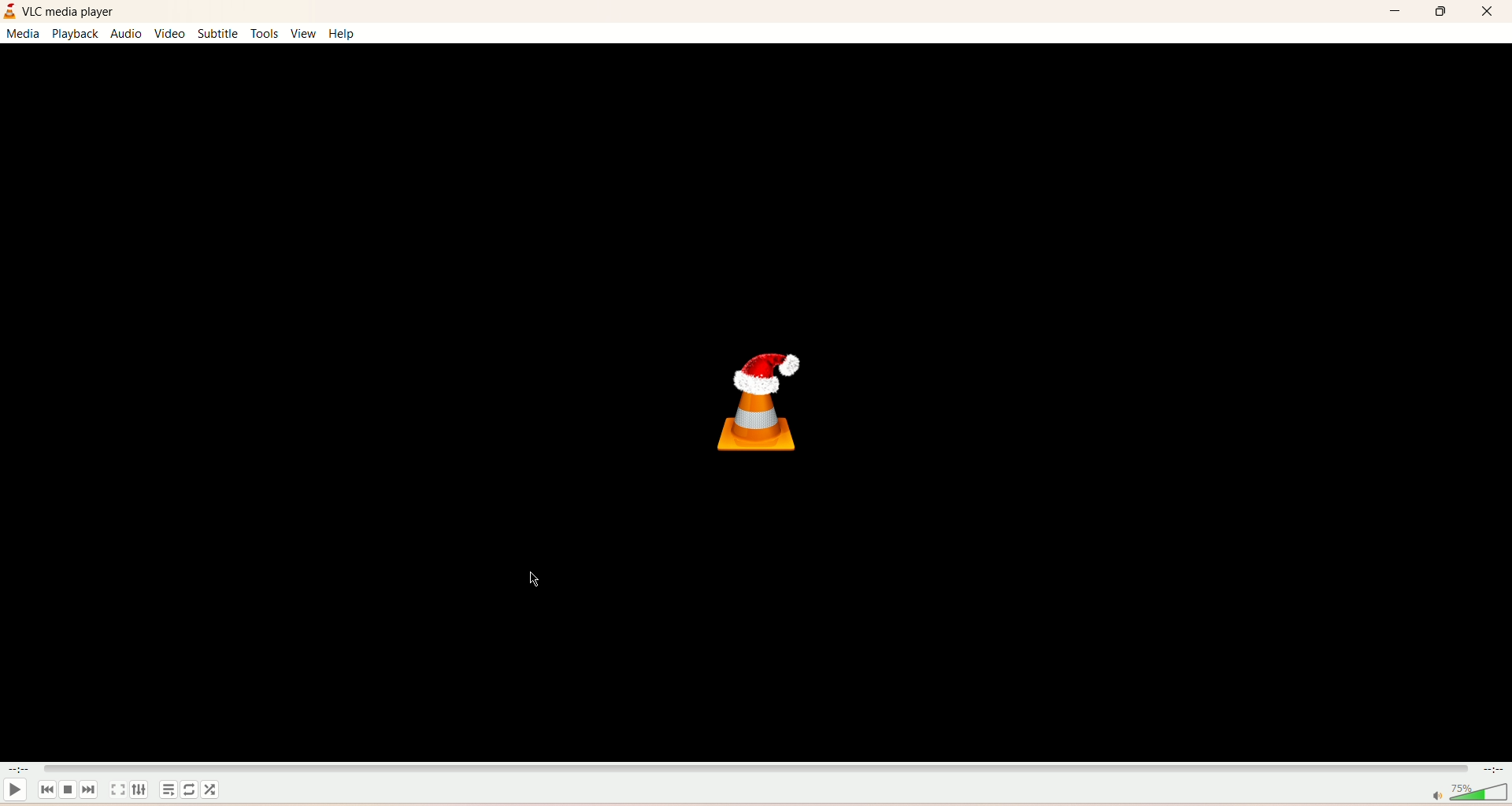  Describe the element at coordinates (75, 34) in the screenshot. I see `playback` at that location.